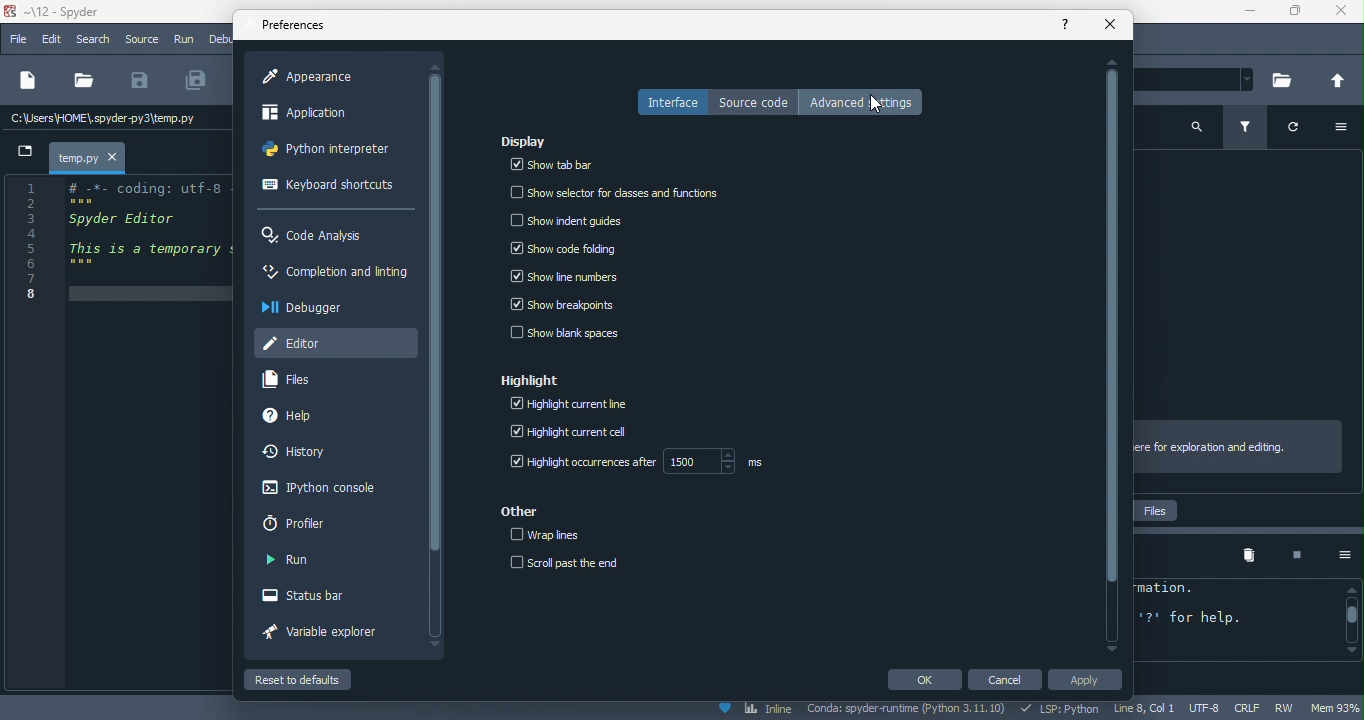  Describe the element at coordinates (923, 679) in the screenshot. I see `ok` at that location.